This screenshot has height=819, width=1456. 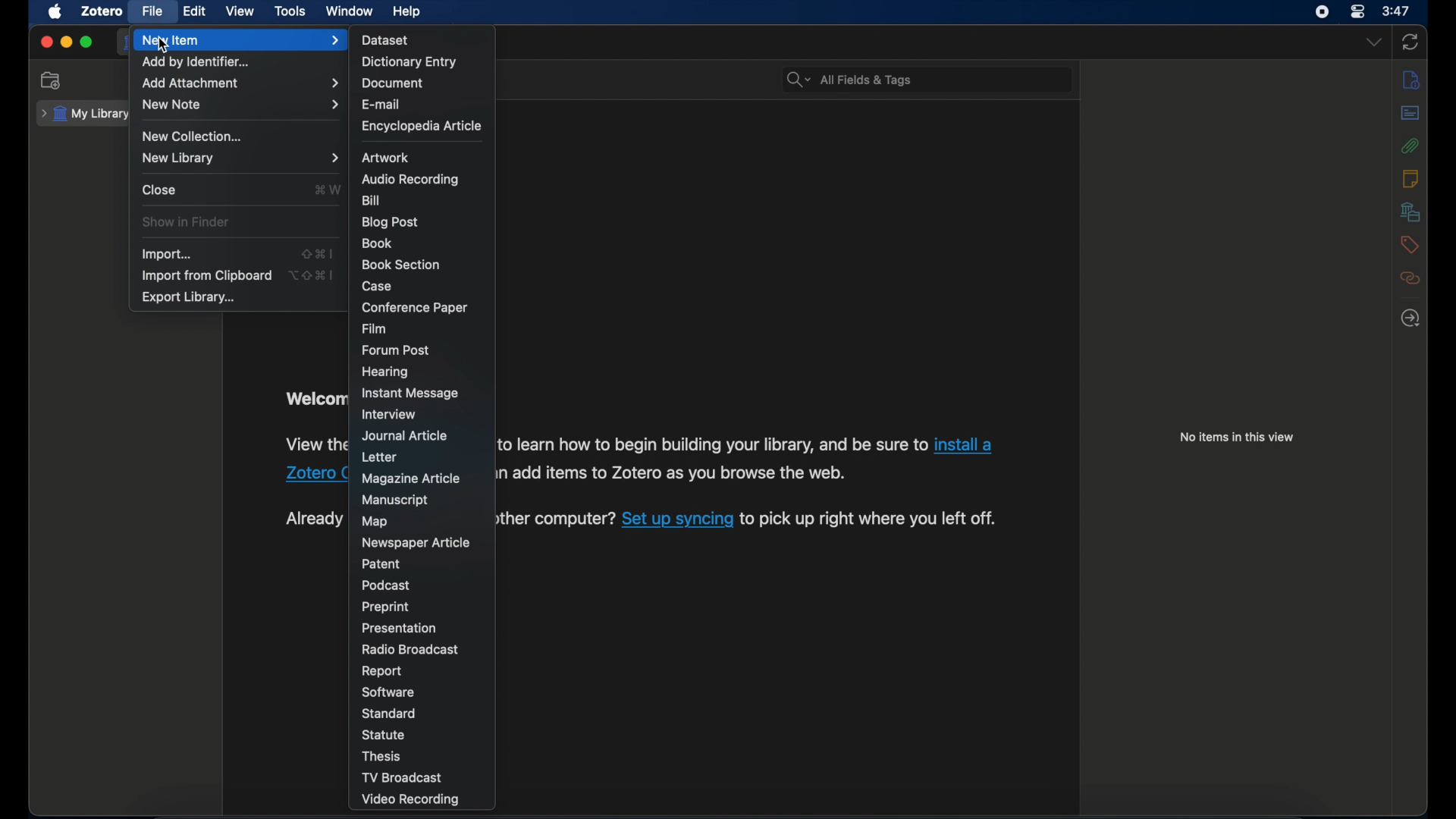 What do you see at coordinates (414, 307) in the screenshot?
I see `conference paper` at bounding box center [414, 307].